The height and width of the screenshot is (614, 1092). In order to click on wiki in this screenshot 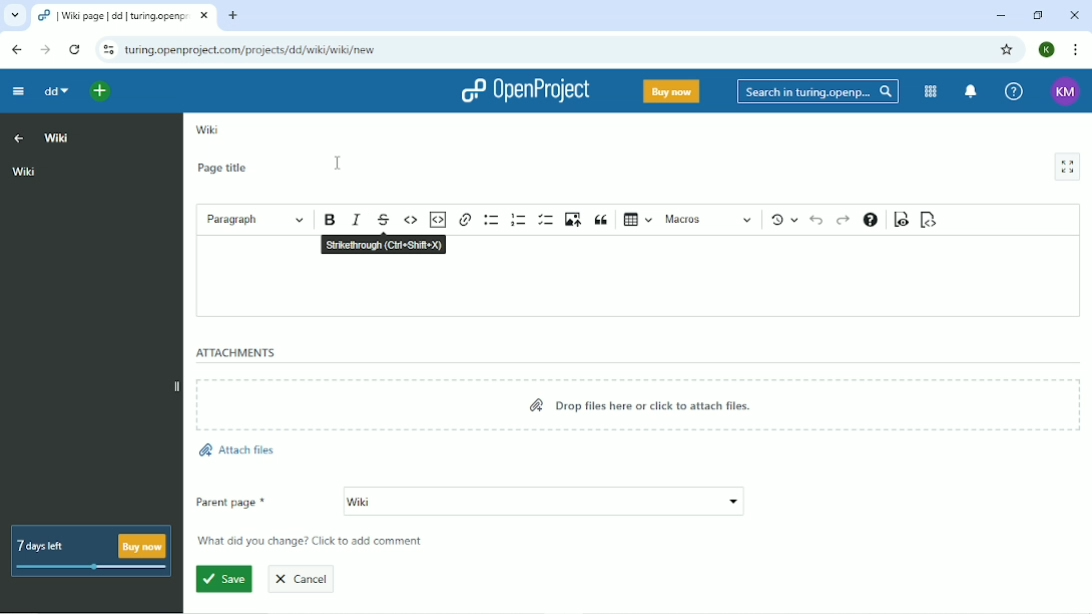, I will do `click(528, 500)`.